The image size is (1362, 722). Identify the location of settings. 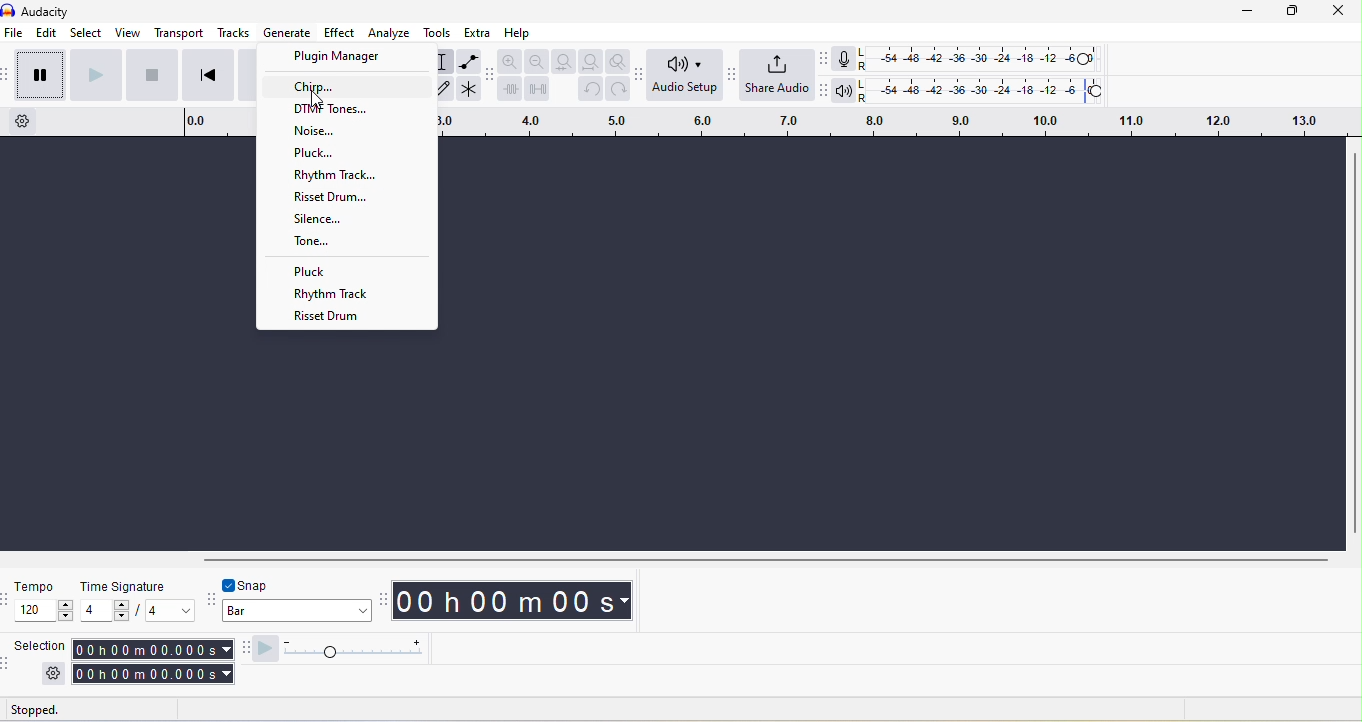
(53, 673).